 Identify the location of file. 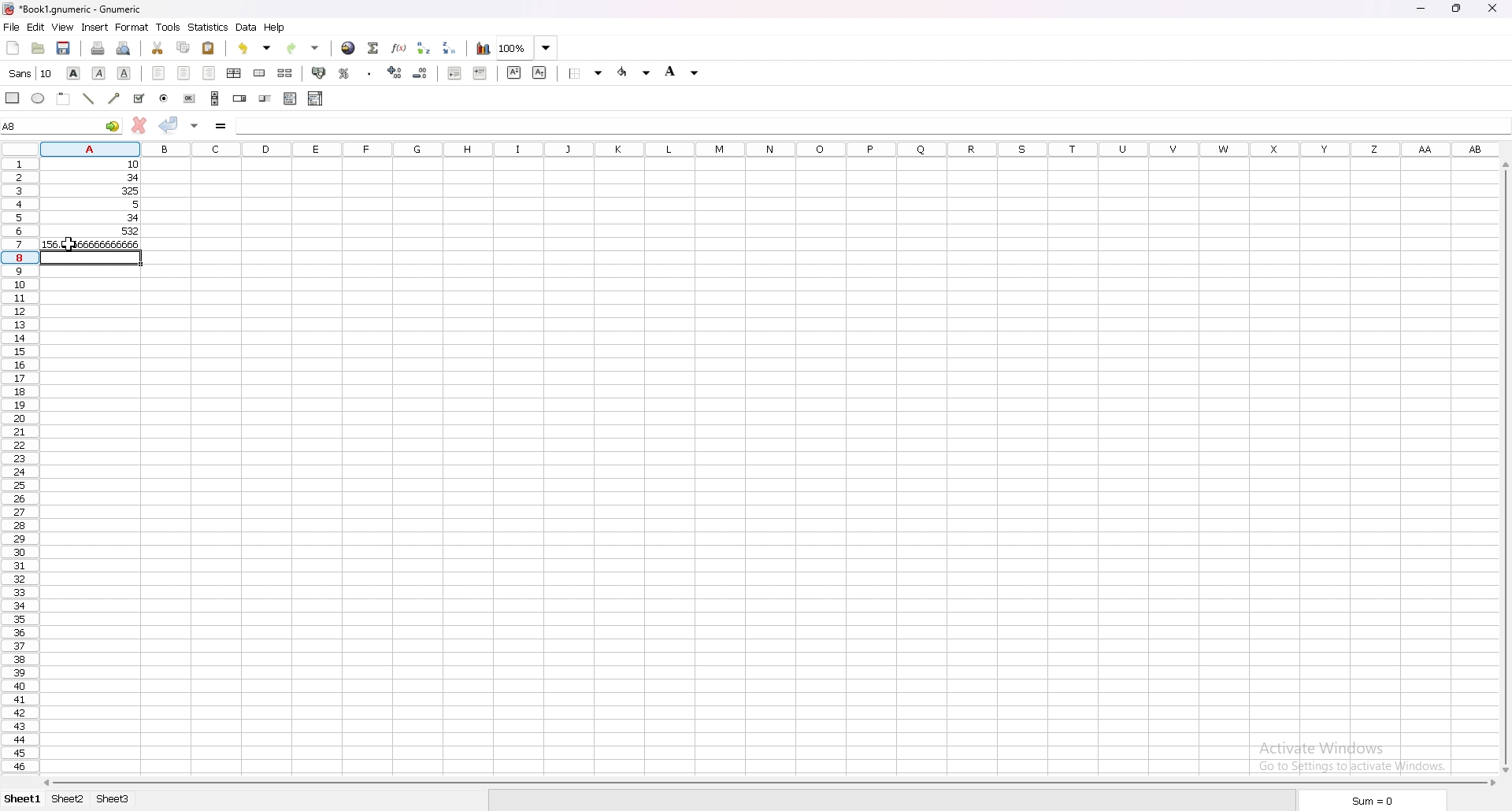
(13, 28).